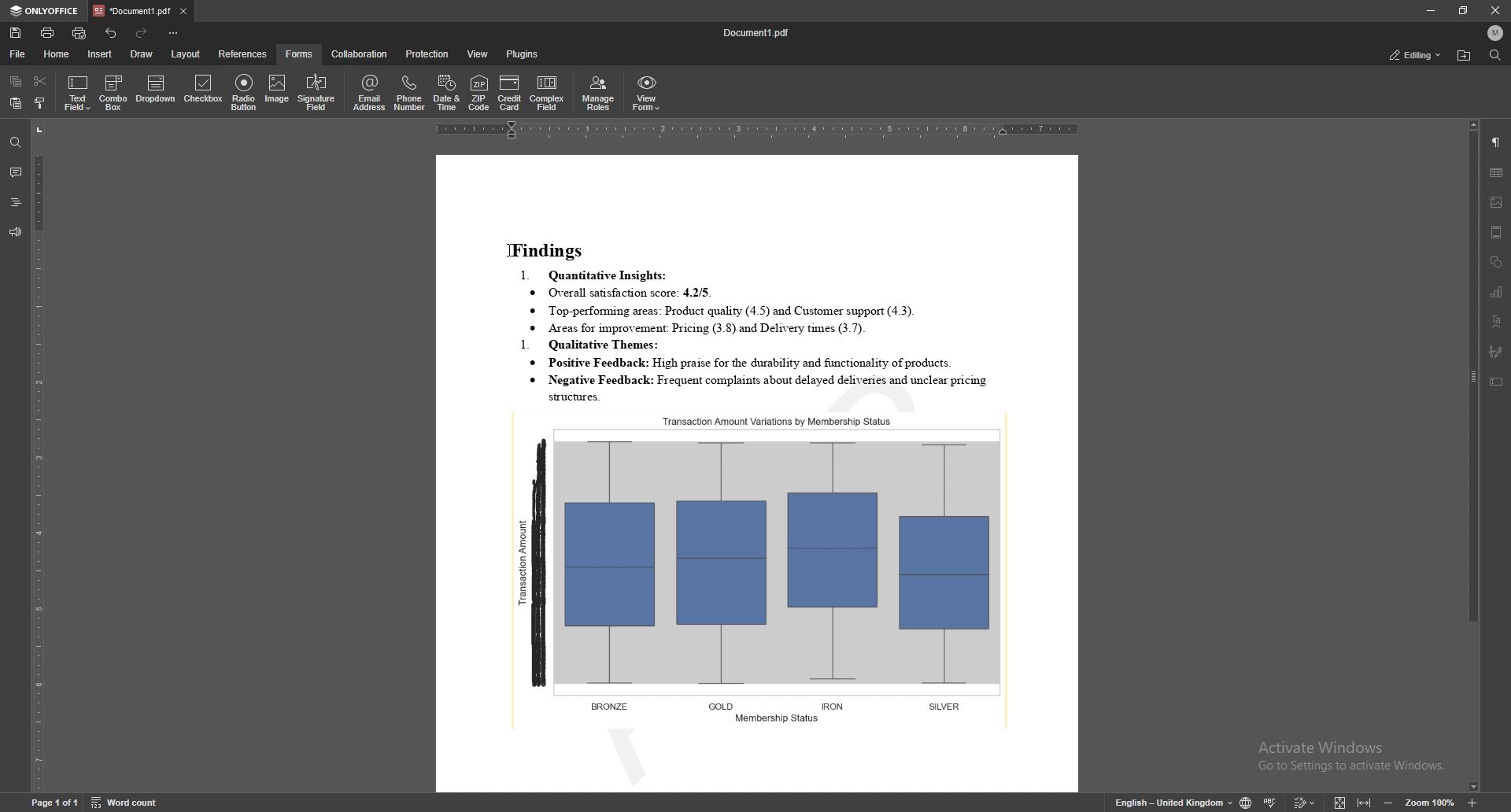  I want to click on signature field, so click(1495, 352).